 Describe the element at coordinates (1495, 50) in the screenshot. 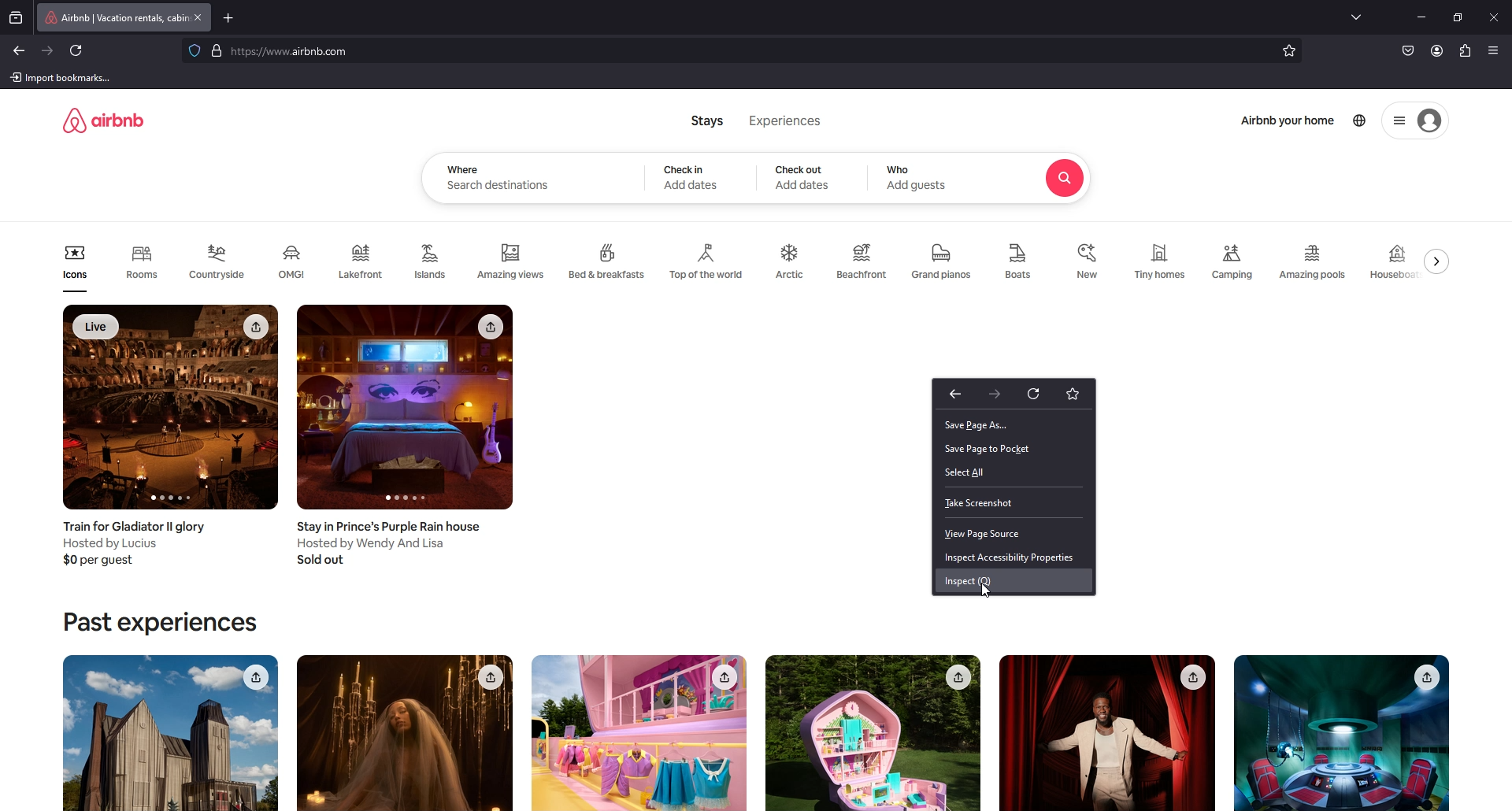

I see `application menu` at that location.